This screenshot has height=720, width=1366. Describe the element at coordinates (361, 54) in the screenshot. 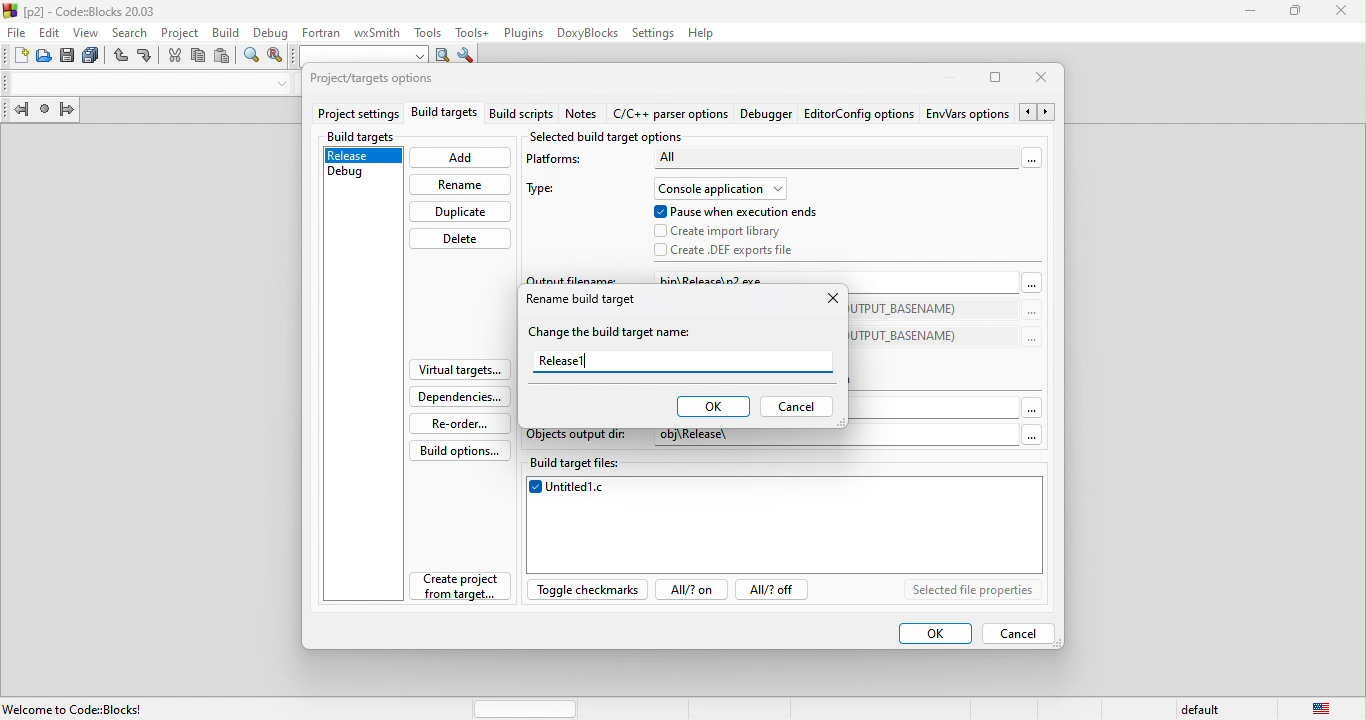

I see `search to text` at that location.